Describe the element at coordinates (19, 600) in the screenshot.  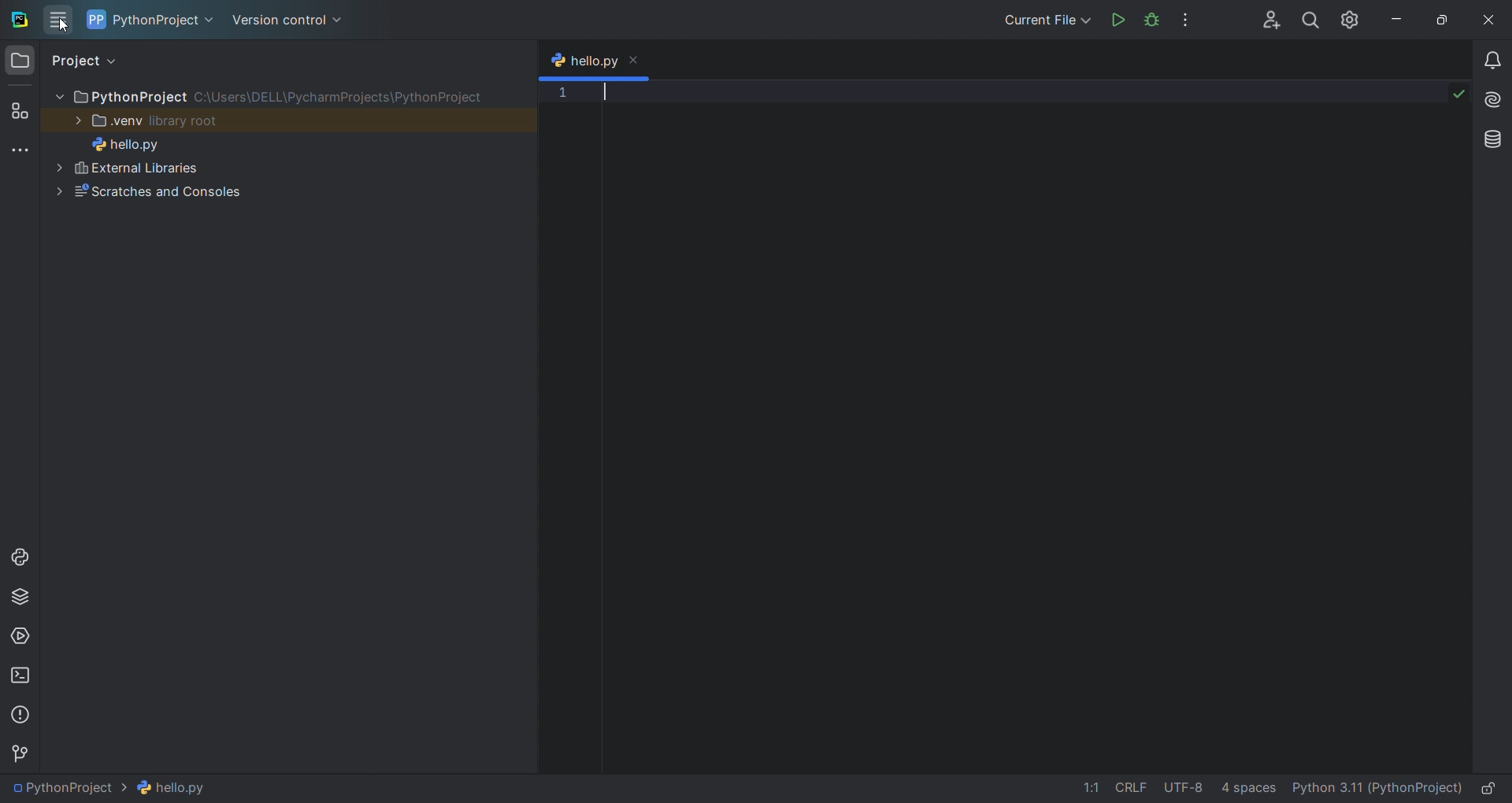
I see `python package` at that location.